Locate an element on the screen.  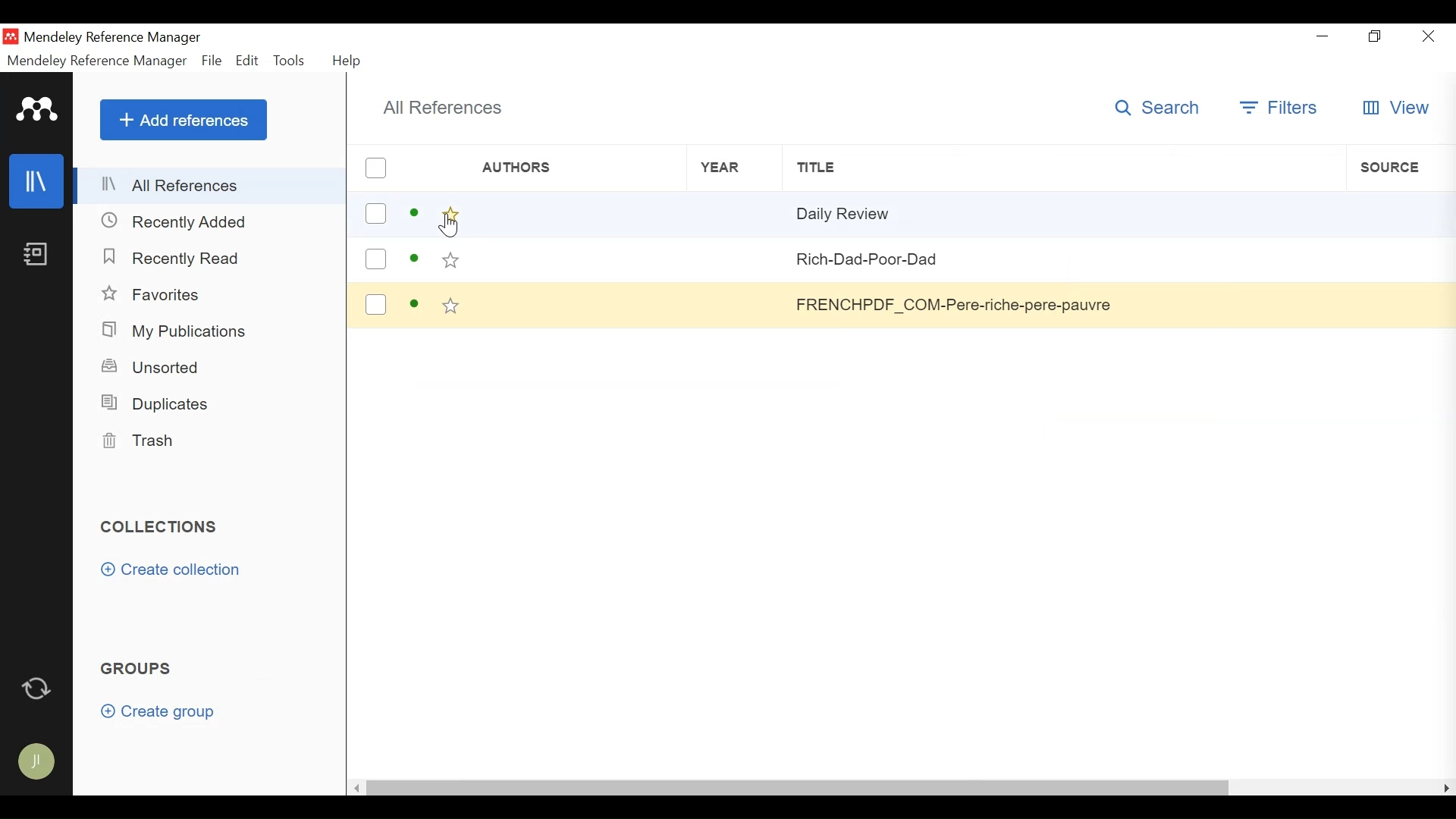
Recently Added is located at coordinates (184, 221).